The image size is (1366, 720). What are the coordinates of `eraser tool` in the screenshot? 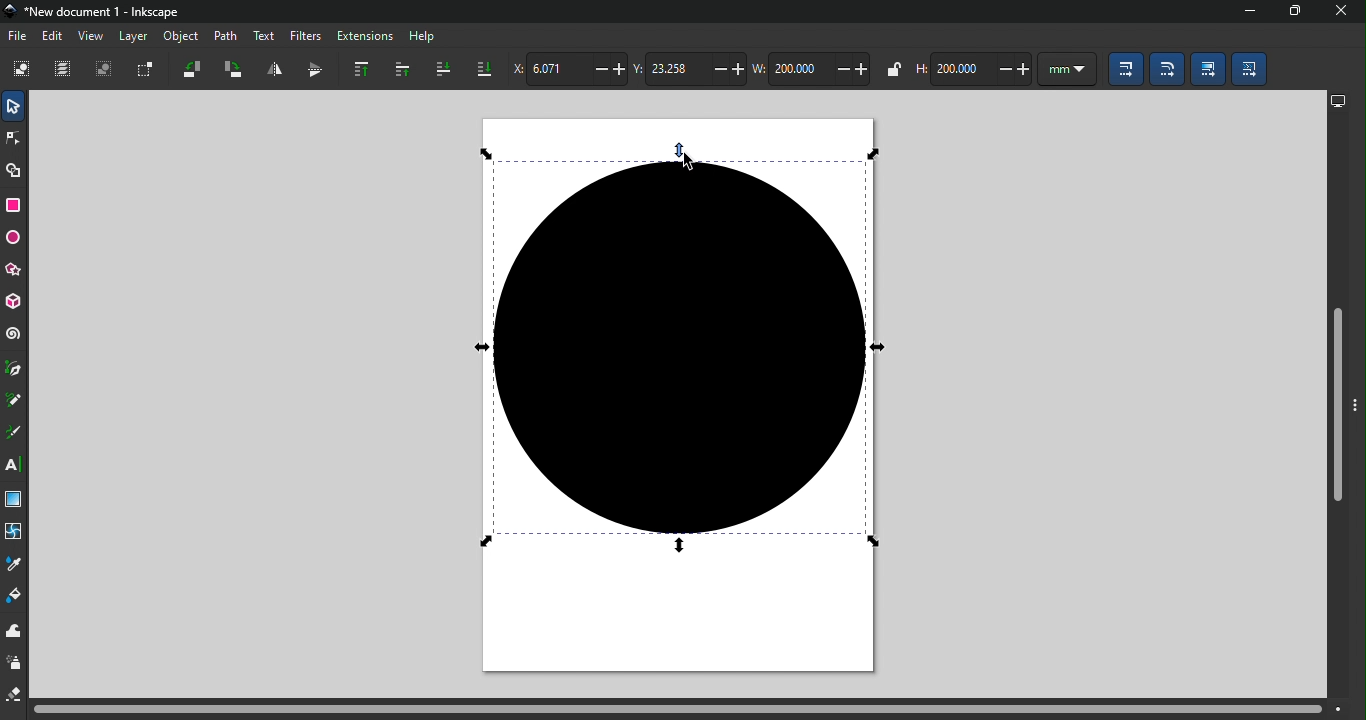 It's located at (15, 696).